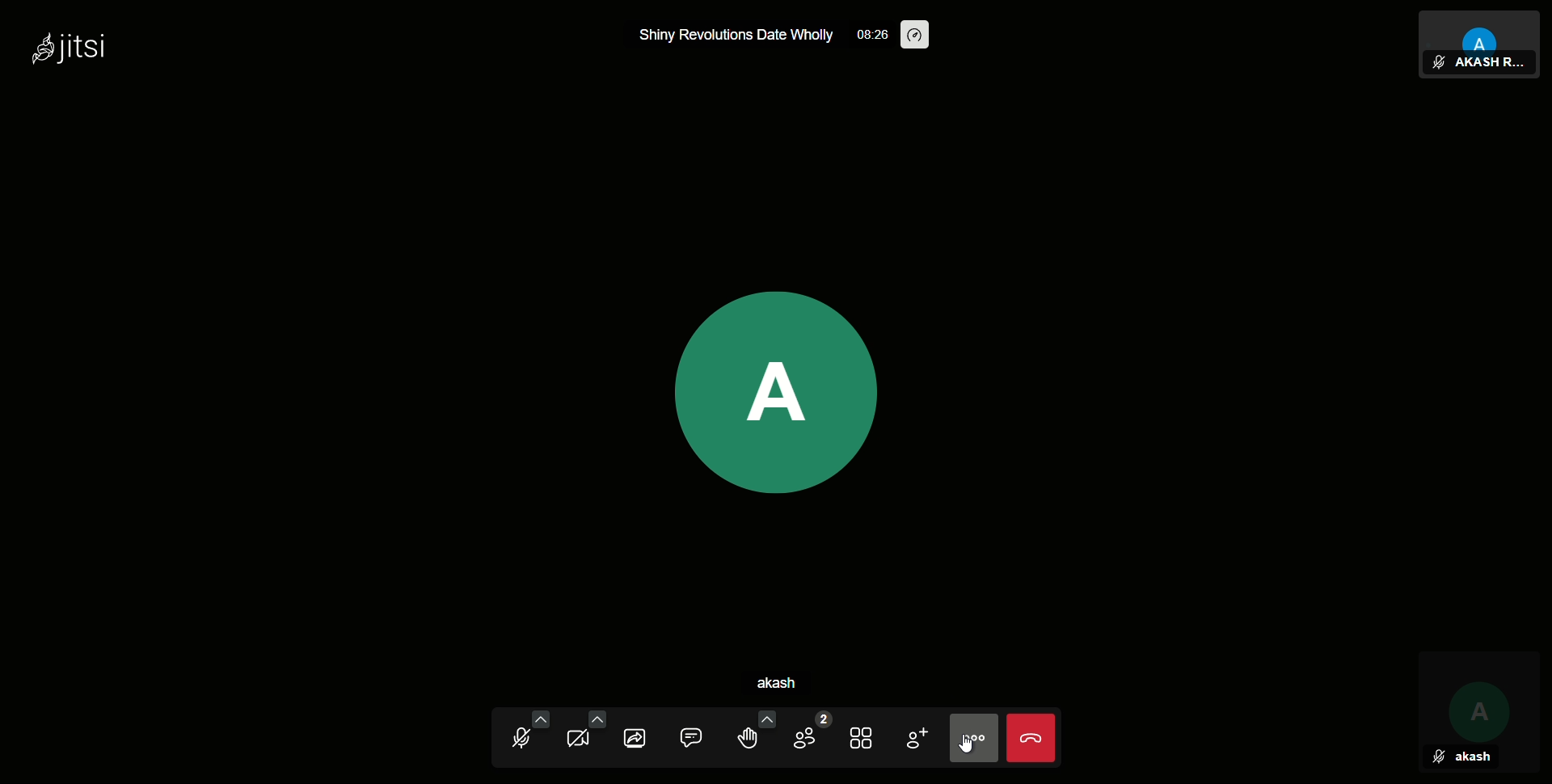 The width and height of the screenshot is (1552, 784). I want to click on invite people, so click(916, 735).